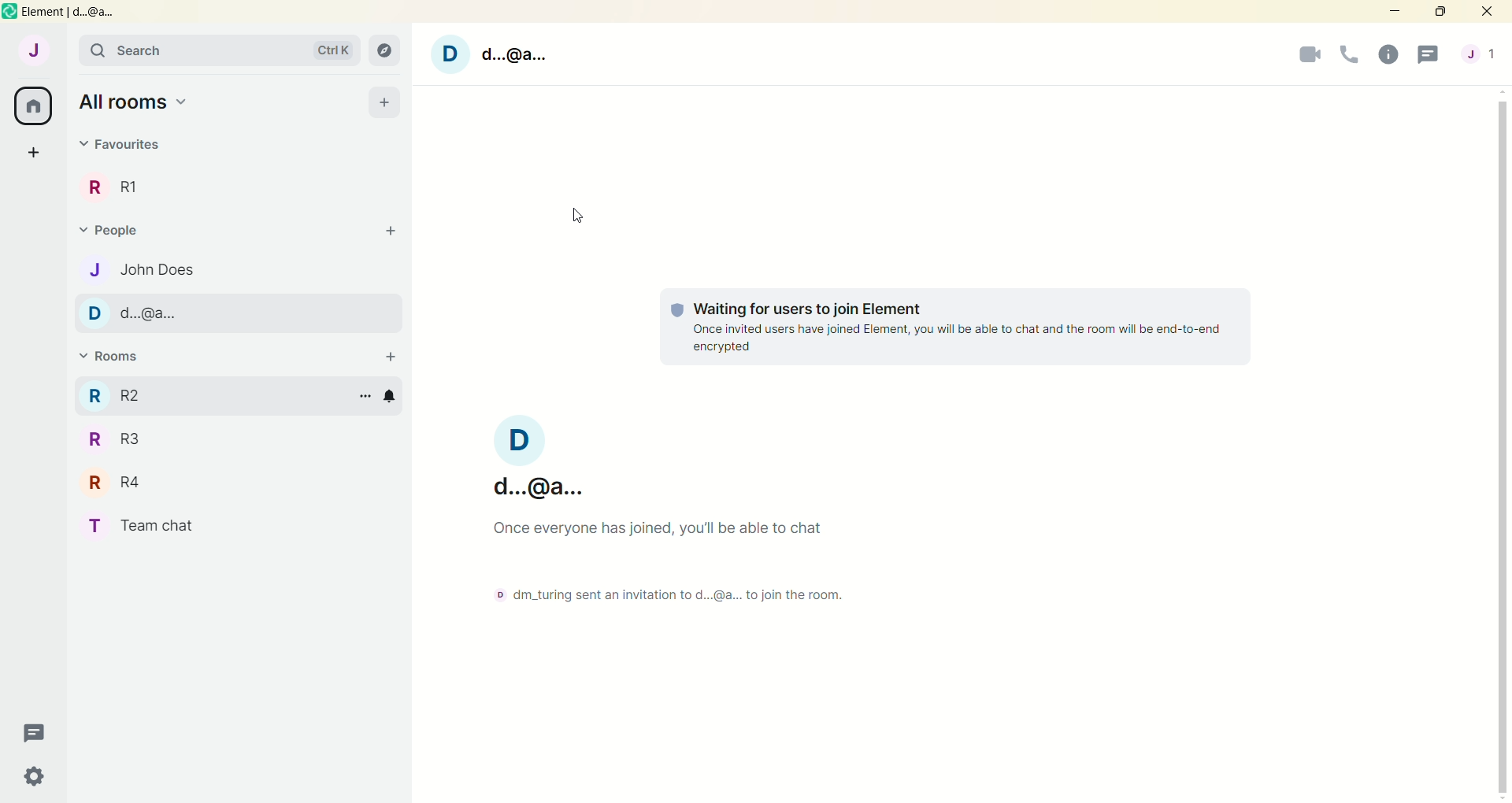 The height and width of the screenshot is (803, 1512). Describe the element at coordinates (35, 154) in the screenshot. I see `create a space` at that location.